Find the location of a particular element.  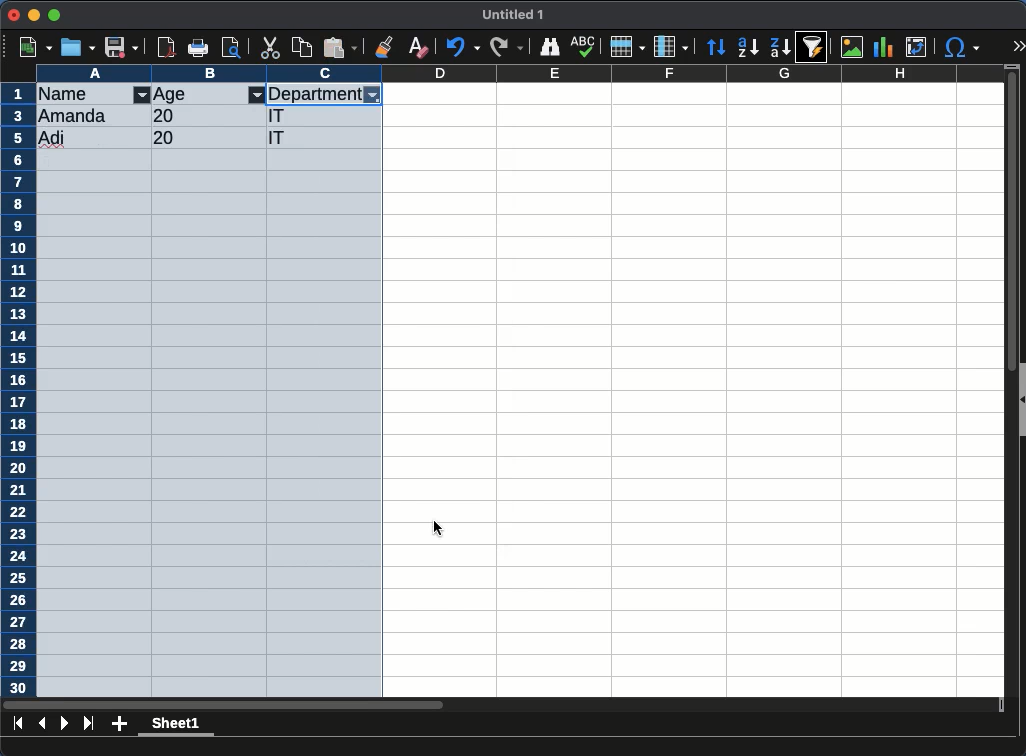

sort is located at coordinates (816, 47).